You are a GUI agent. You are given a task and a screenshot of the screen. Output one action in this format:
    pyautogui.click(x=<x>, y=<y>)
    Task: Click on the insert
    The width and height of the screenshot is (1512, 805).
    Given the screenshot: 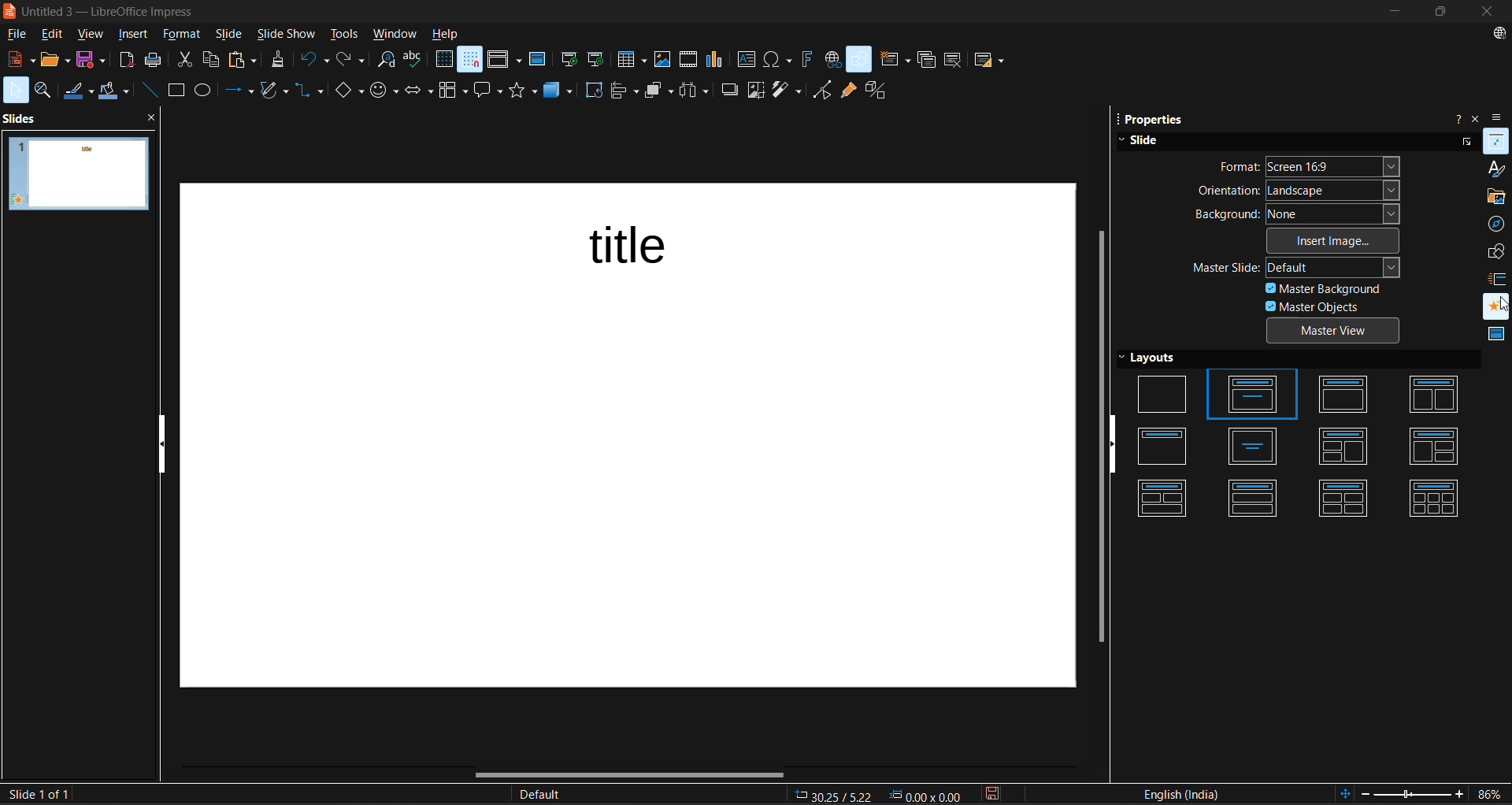 What is the action you would take?
    pyautogui.click(x=137, y=36)
    